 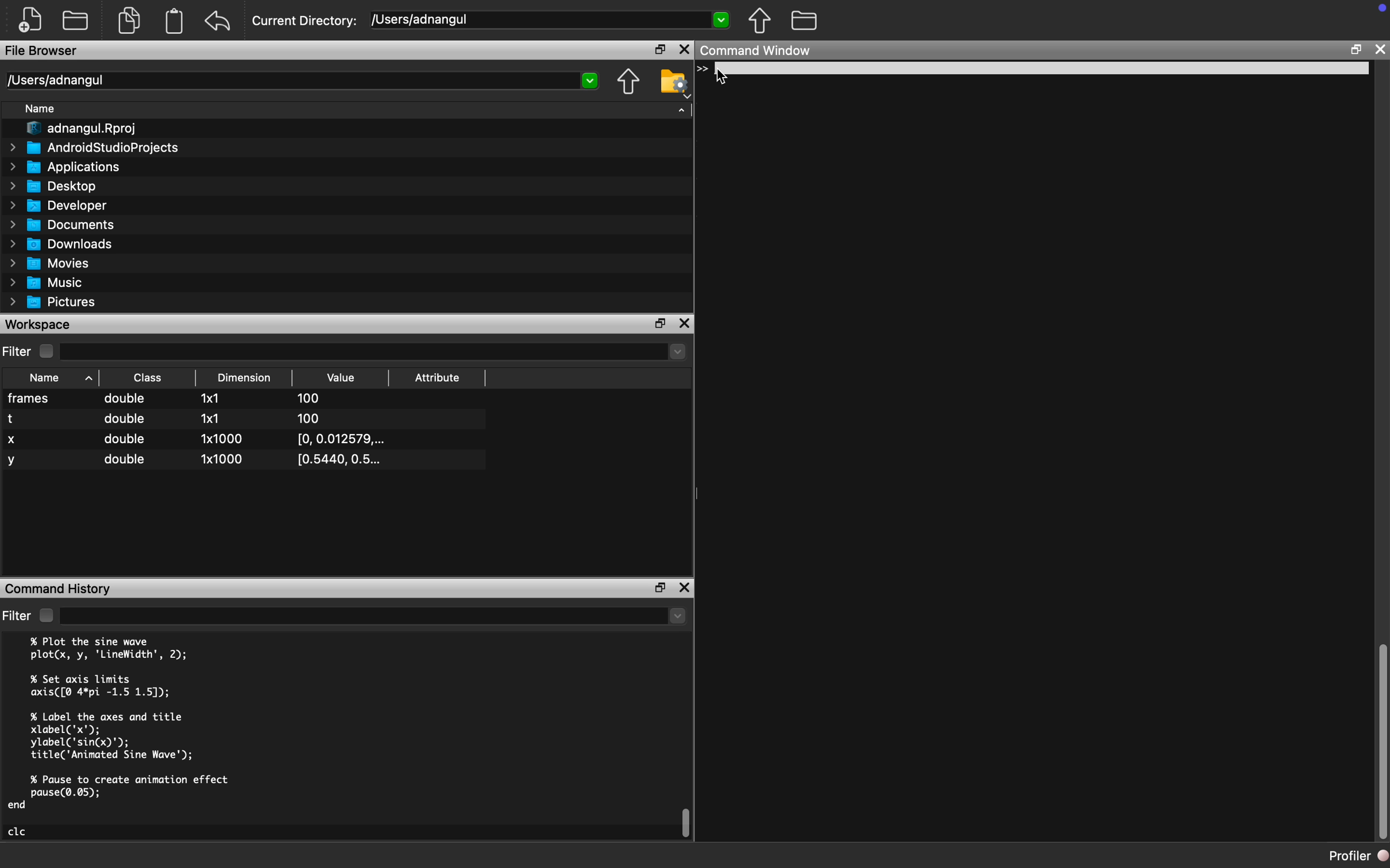 What do you see at coordinates (61, 225) in the screenshot?
I see `Documents` at bounding box center [61, 225].